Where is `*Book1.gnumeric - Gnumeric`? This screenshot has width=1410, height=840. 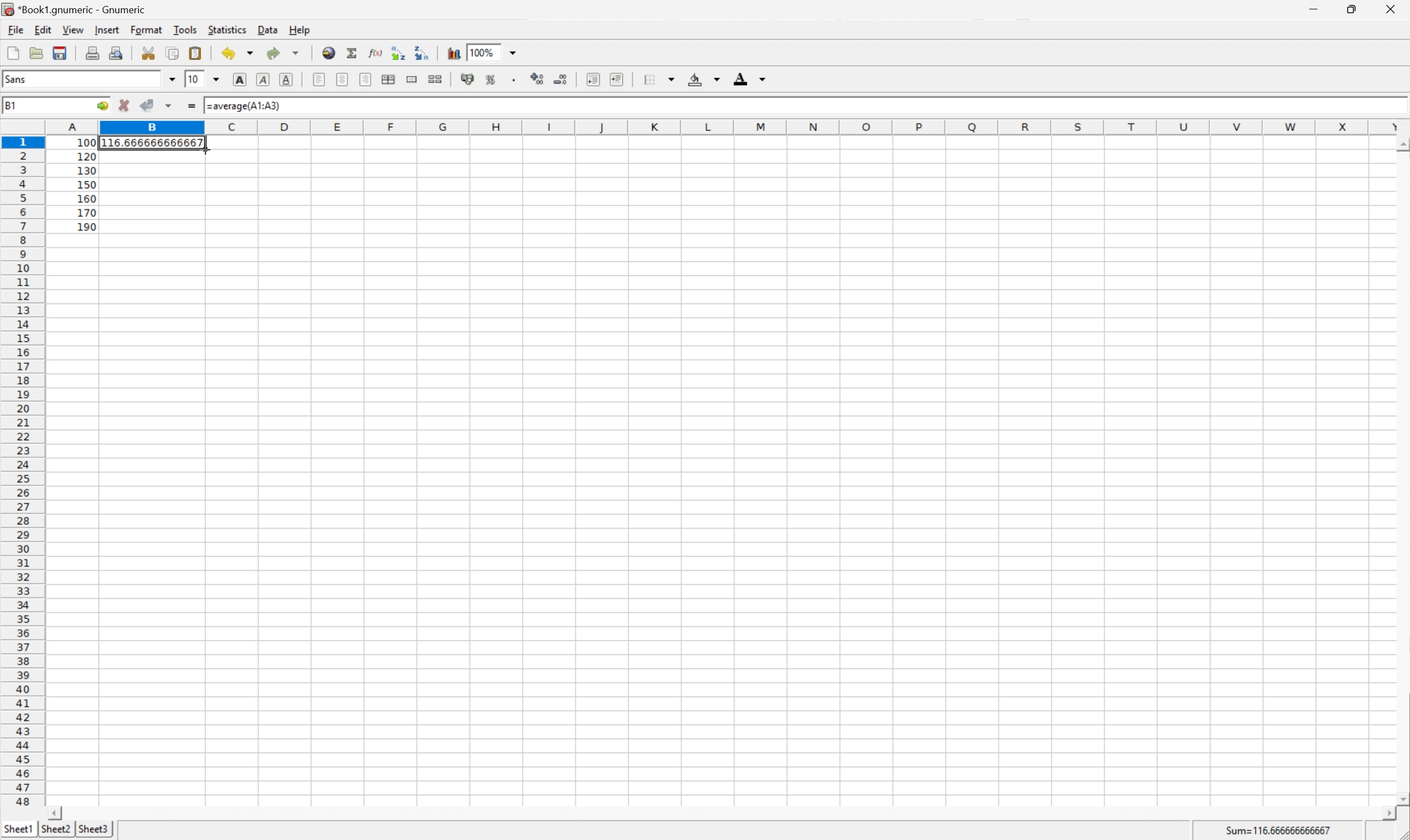 *Book1.gnumeric - Gnumeric is located at coordinates (78, 8).